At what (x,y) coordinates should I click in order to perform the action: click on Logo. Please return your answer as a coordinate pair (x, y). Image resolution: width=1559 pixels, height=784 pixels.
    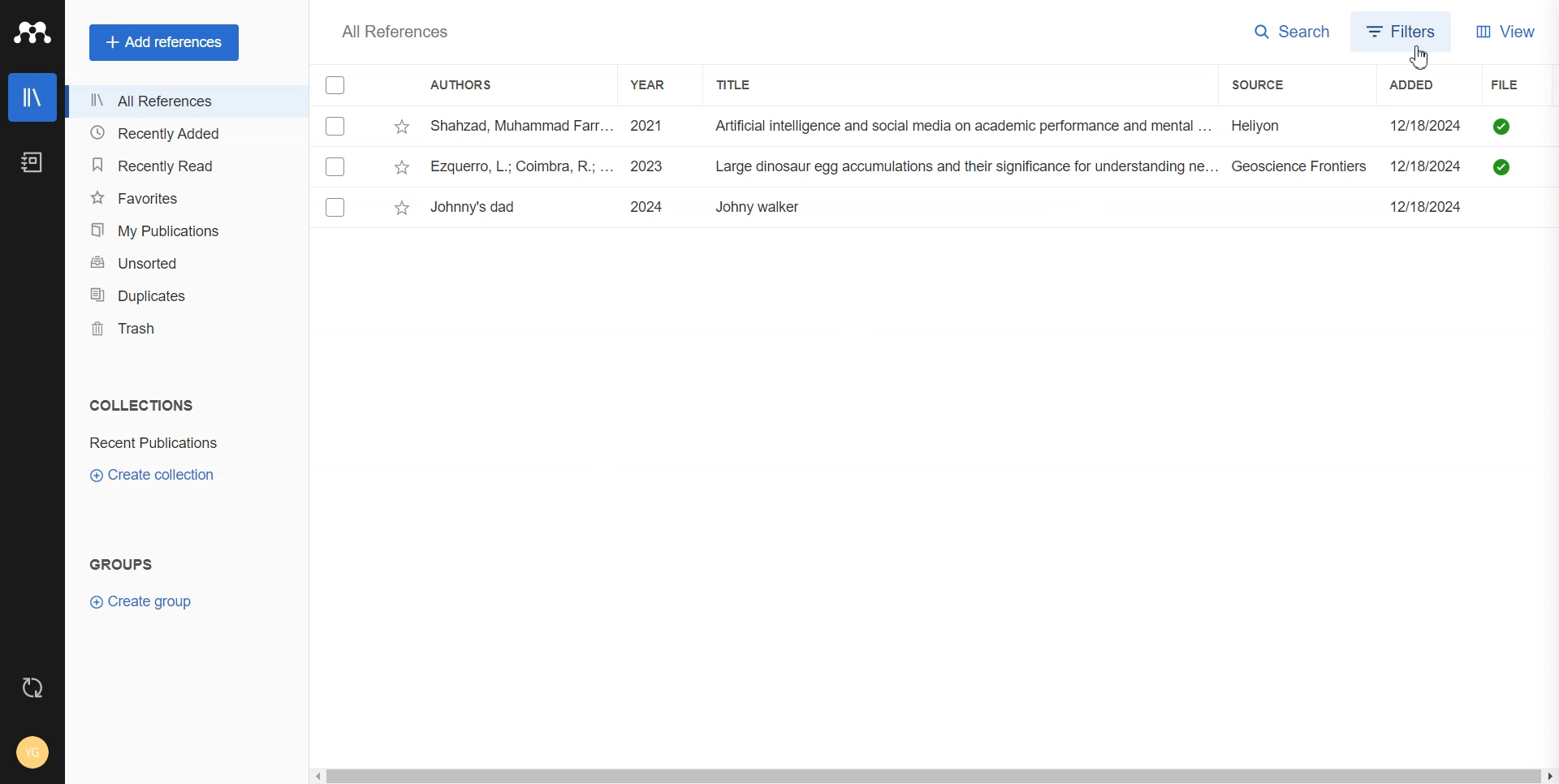
    Looking at the image, I should click on (32, 32).